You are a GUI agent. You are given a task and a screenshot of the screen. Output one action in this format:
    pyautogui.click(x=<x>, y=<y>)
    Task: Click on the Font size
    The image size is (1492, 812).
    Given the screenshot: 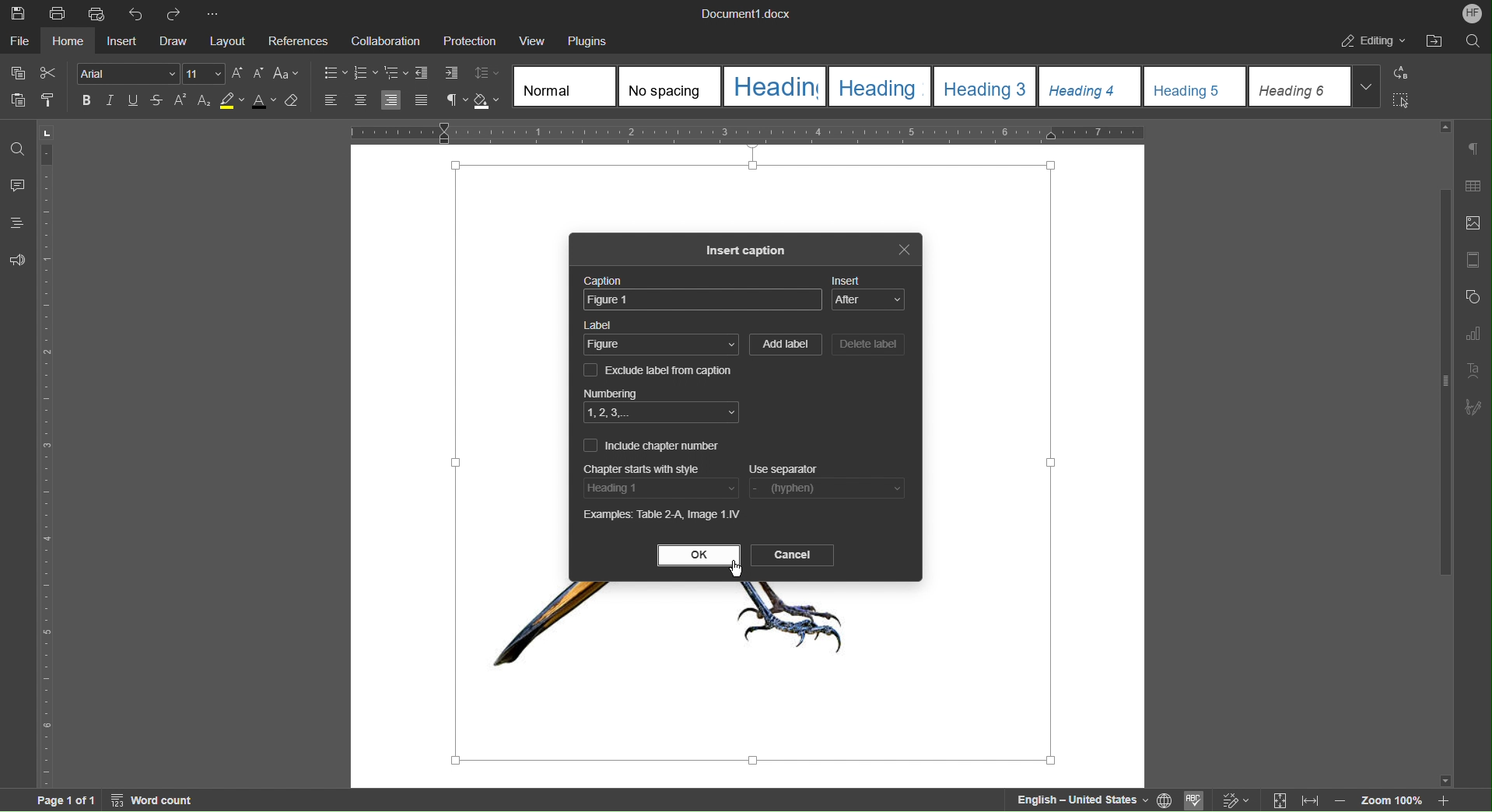 What is the action you would take?
    pyautogui.click(x=205, y=73)
    